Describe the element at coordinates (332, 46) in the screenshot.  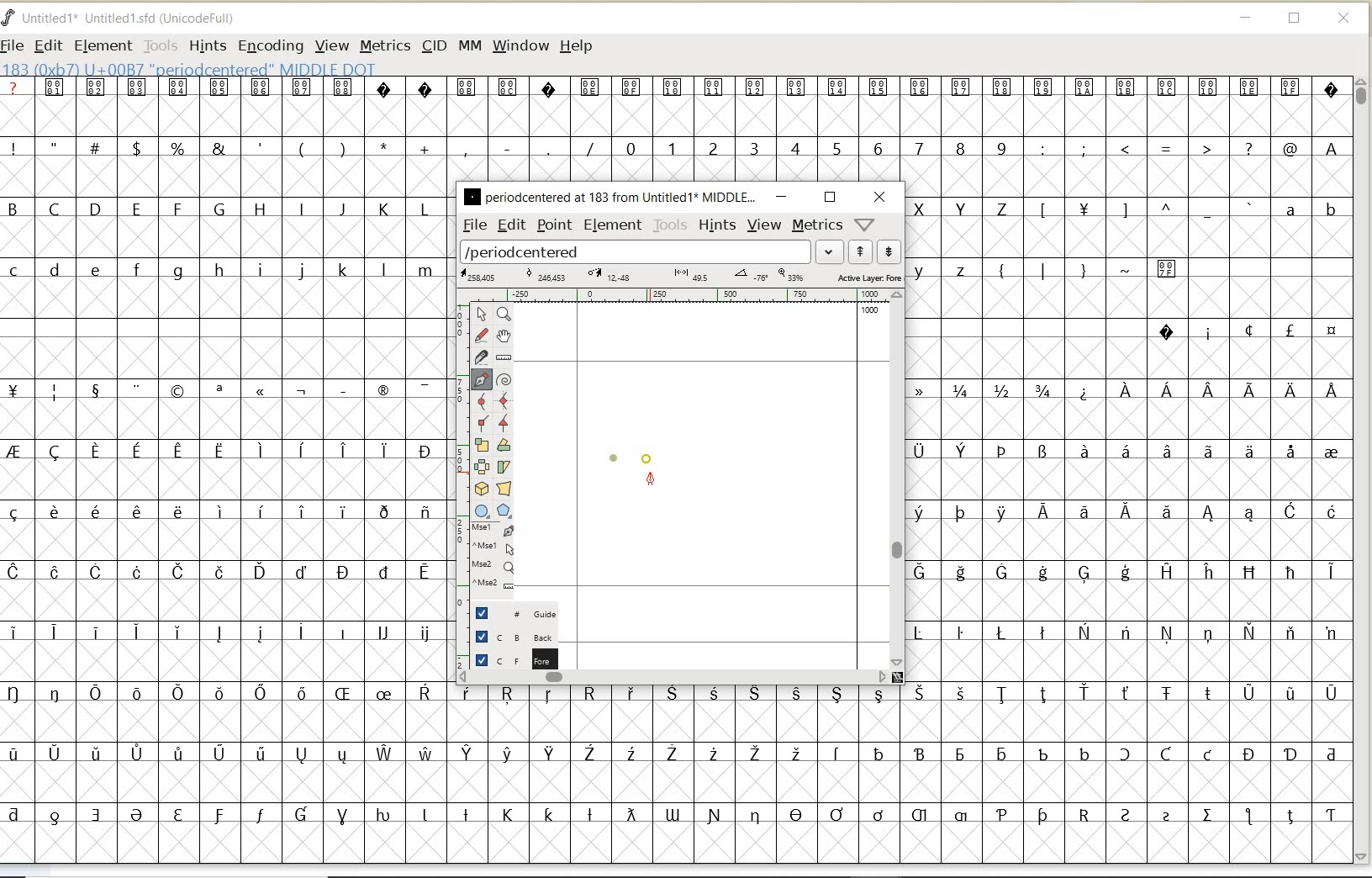
I see `VIEW` at that location.